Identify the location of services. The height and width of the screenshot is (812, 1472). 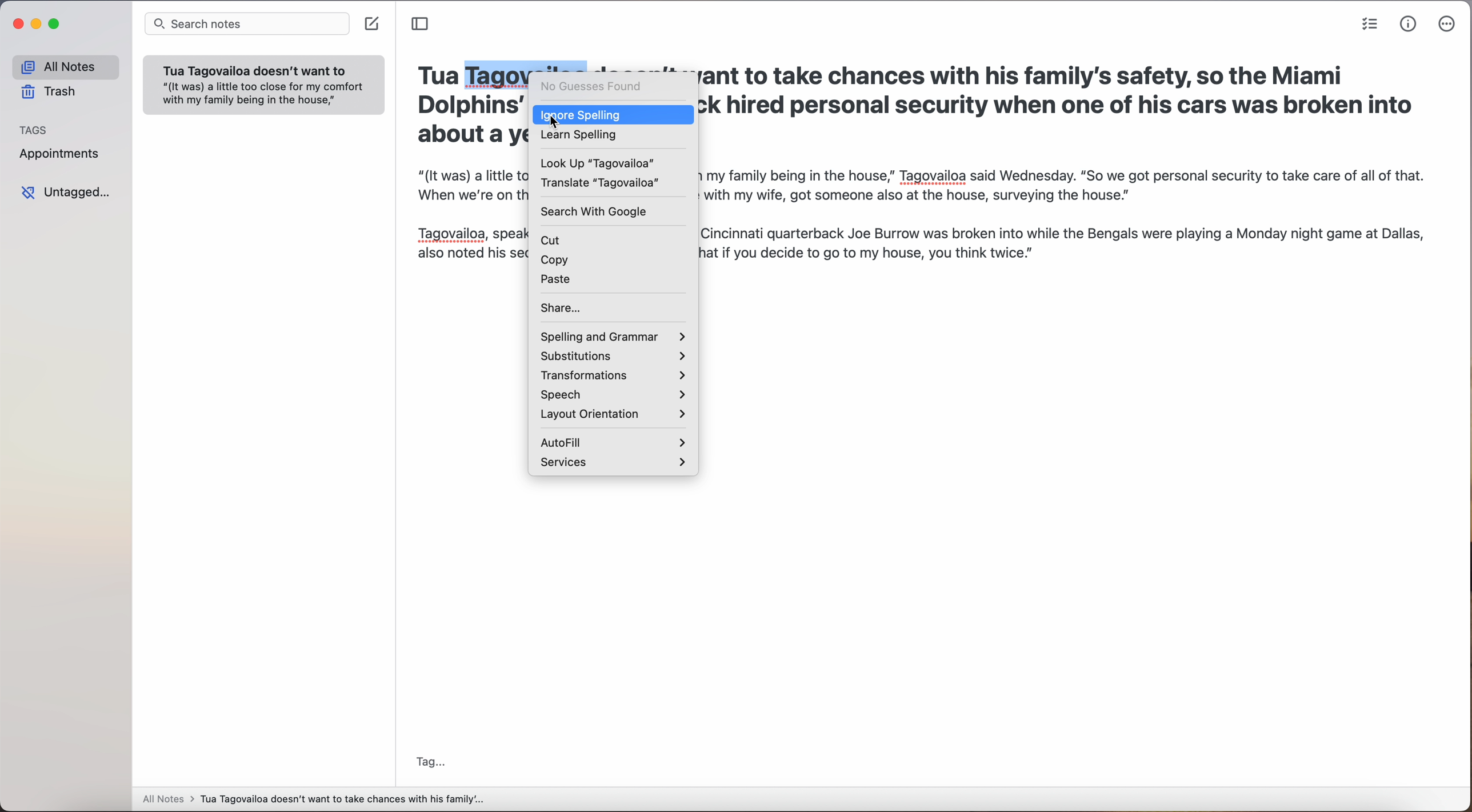
(614, 464).